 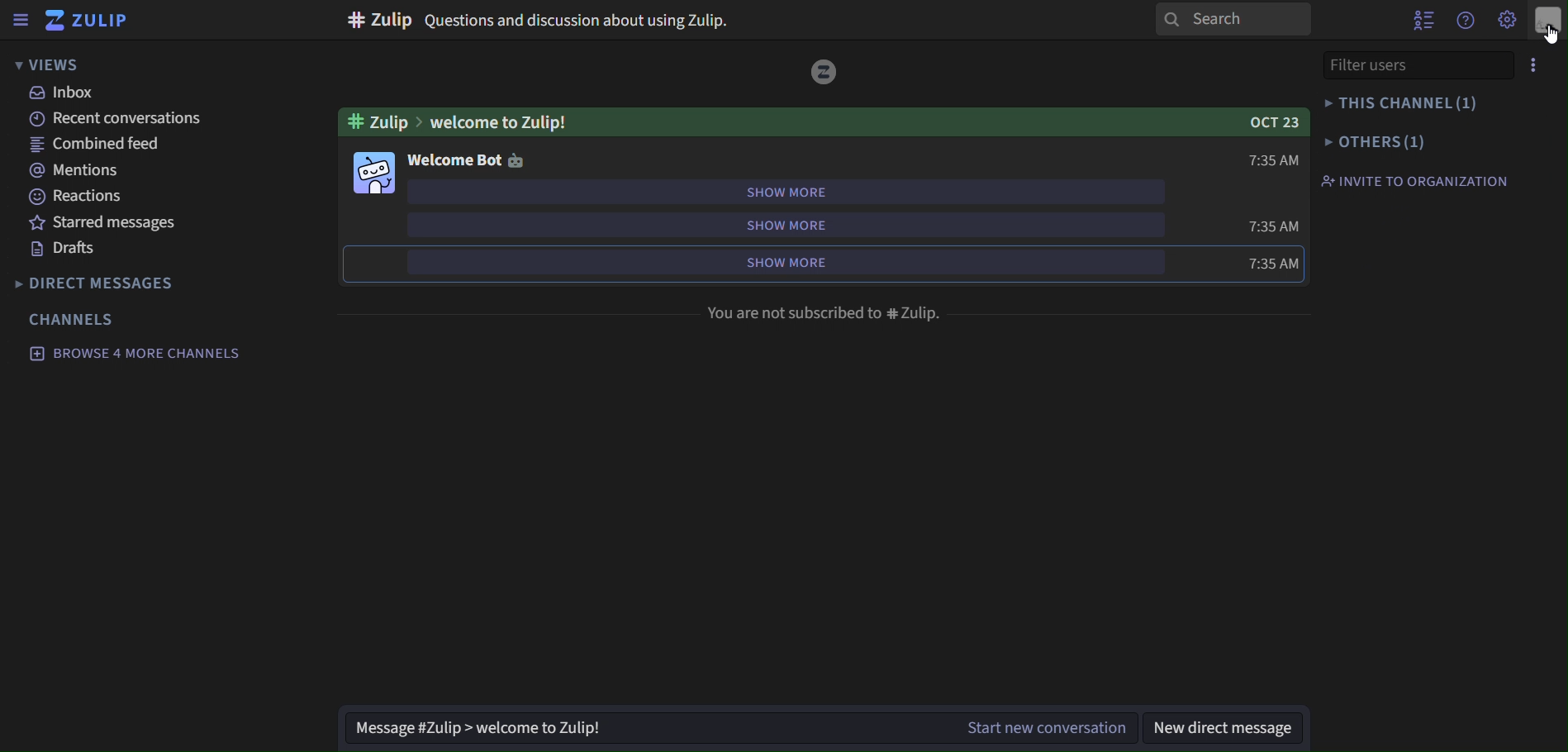 What do you see at coordinates (1509, 20) in the screenshot?
I see `Settings` at bounding box center [1509, 20].